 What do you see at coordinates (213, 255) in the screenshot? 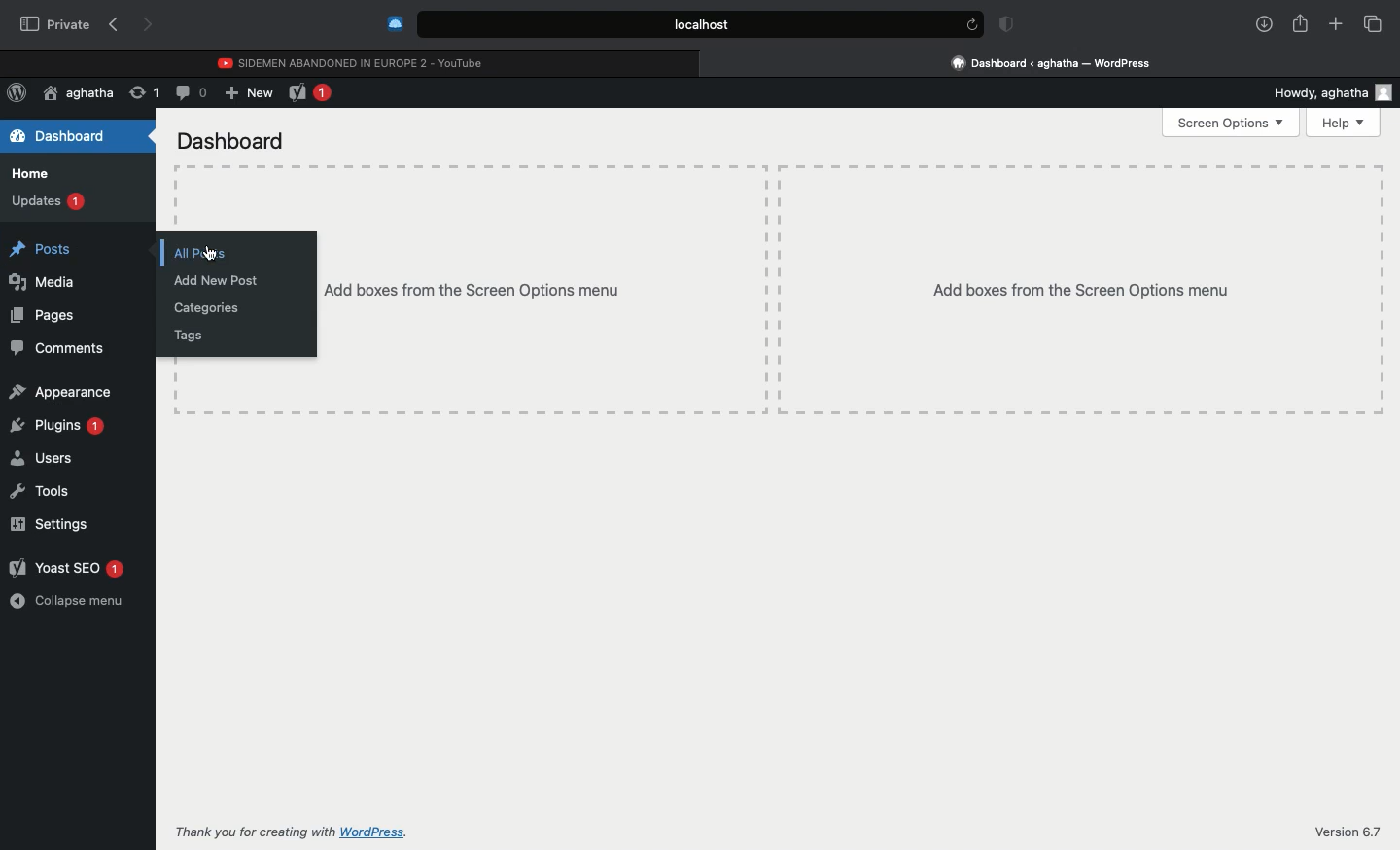
I see `cursor` at bounding box center [213, 255].